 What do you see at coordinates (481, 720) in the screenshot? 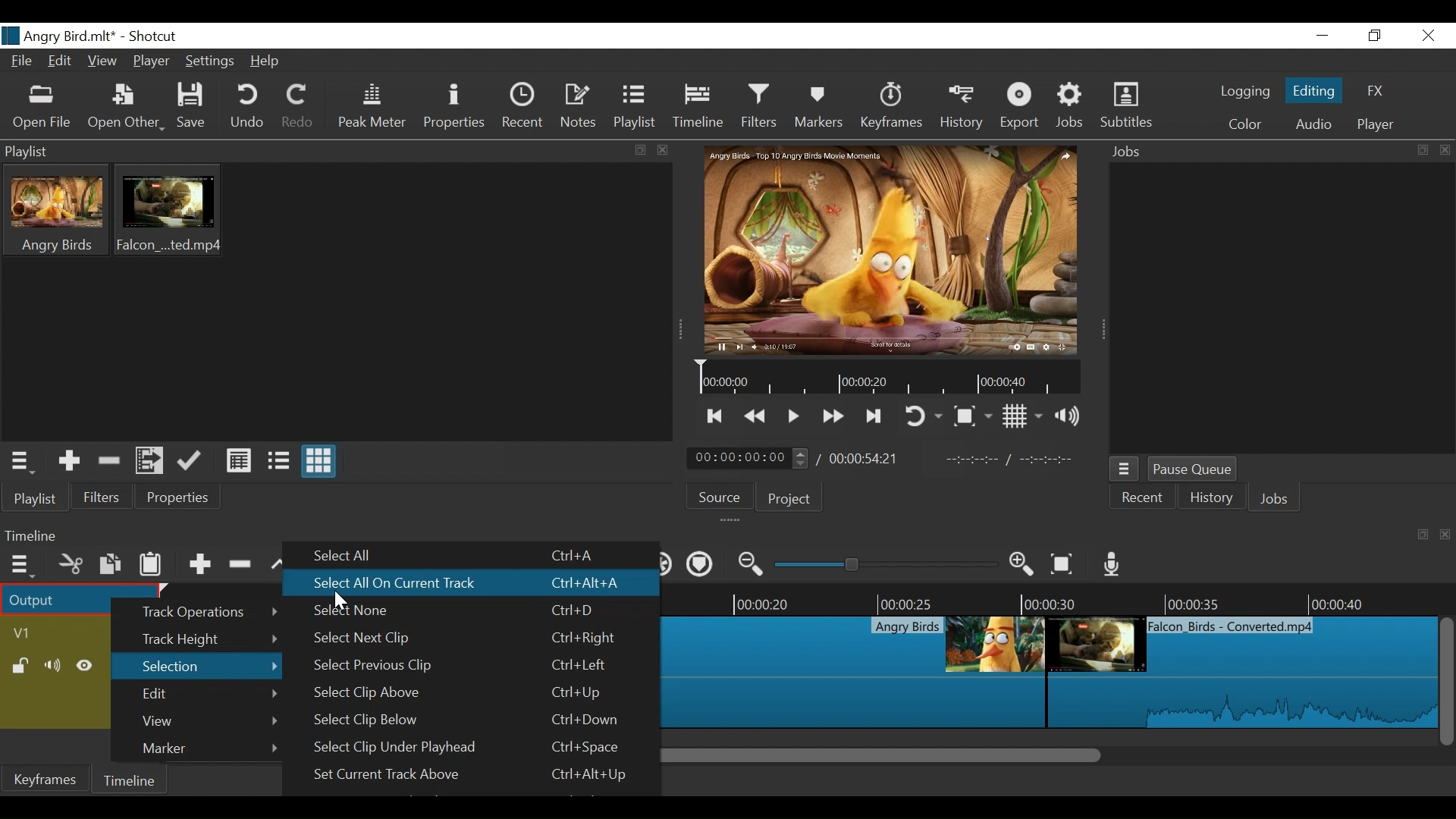
I see `Select Clip Below` at bounding box center [481, 720].